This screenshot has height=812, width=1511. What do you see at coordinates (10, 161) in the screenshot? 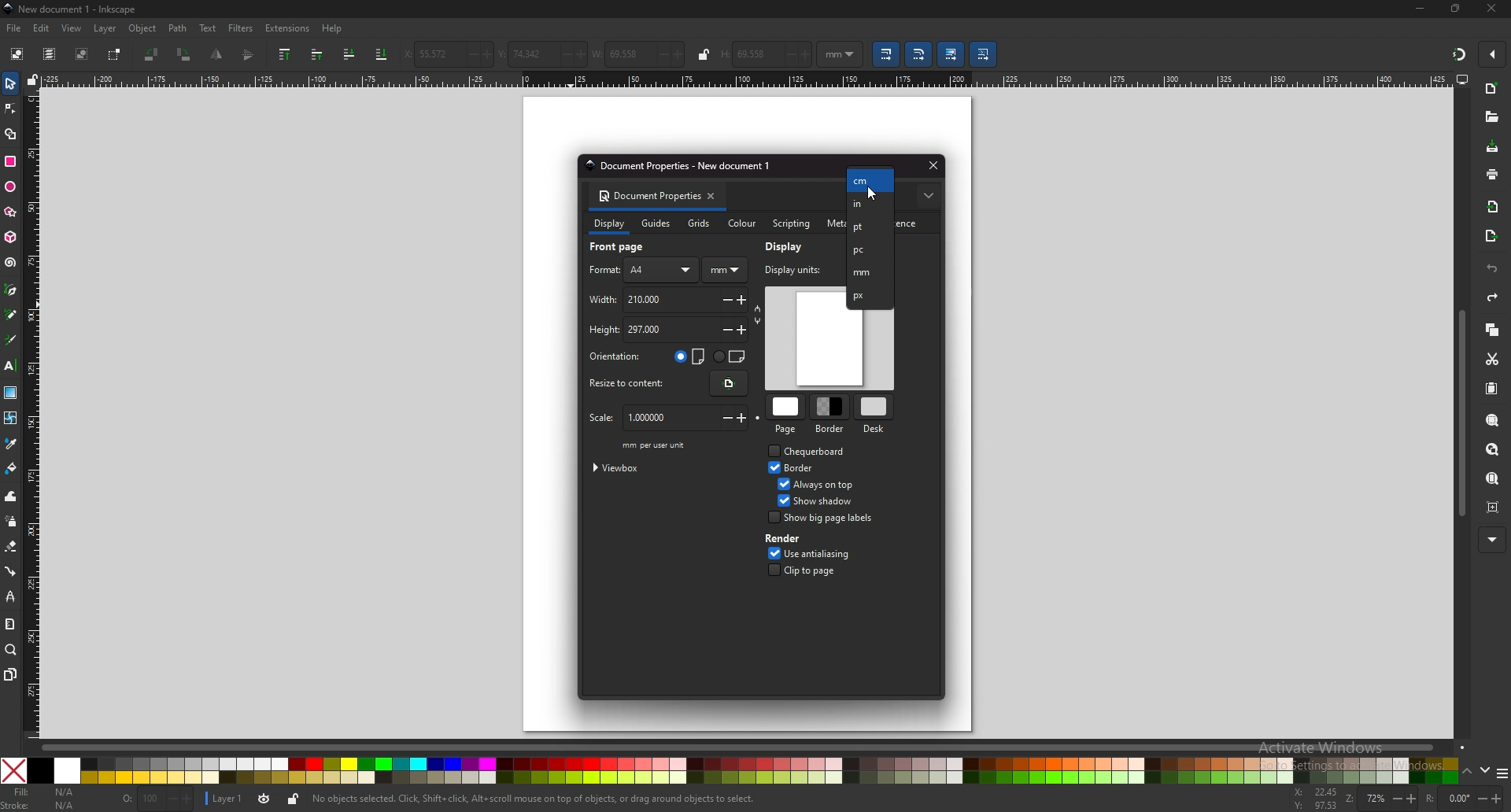
I see `rectangle` at bounding box center [10, 161].